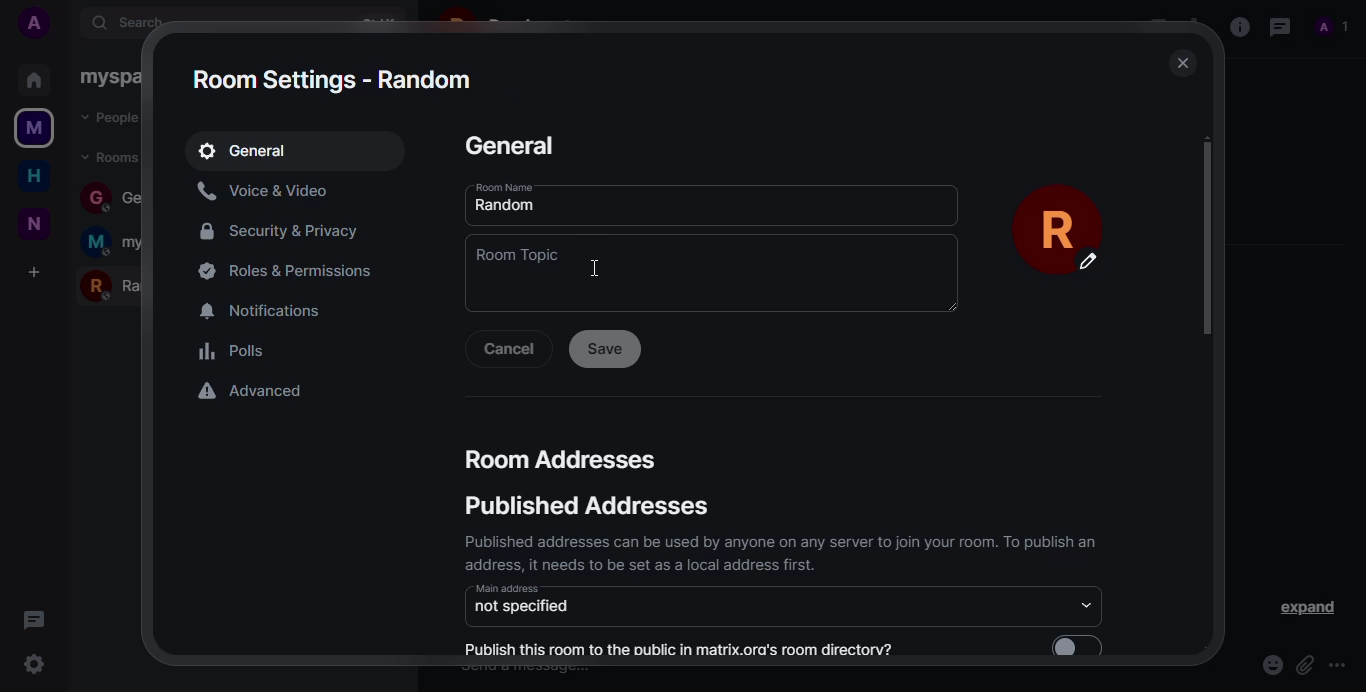 The height and width of the screenshot is (692, 1366). What do you see at coordinates (294, 270) in the screenshot?
I see `permissions` at bounding box center [294, 270].